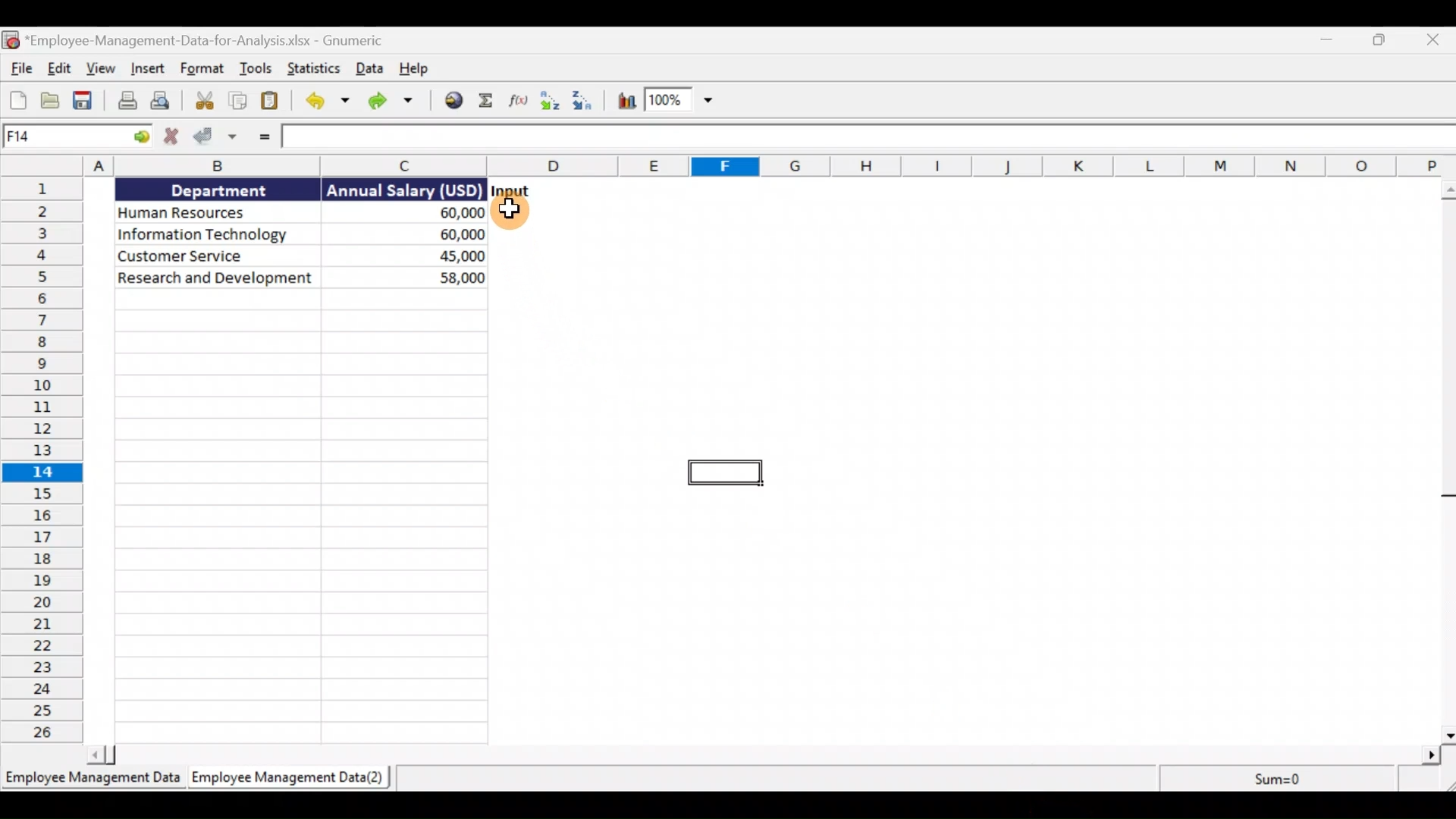 This screenshot has width=1456, height=819. Describe the element at coordinates (680, 102) in the screenshot. I see `Zoom` at that location.